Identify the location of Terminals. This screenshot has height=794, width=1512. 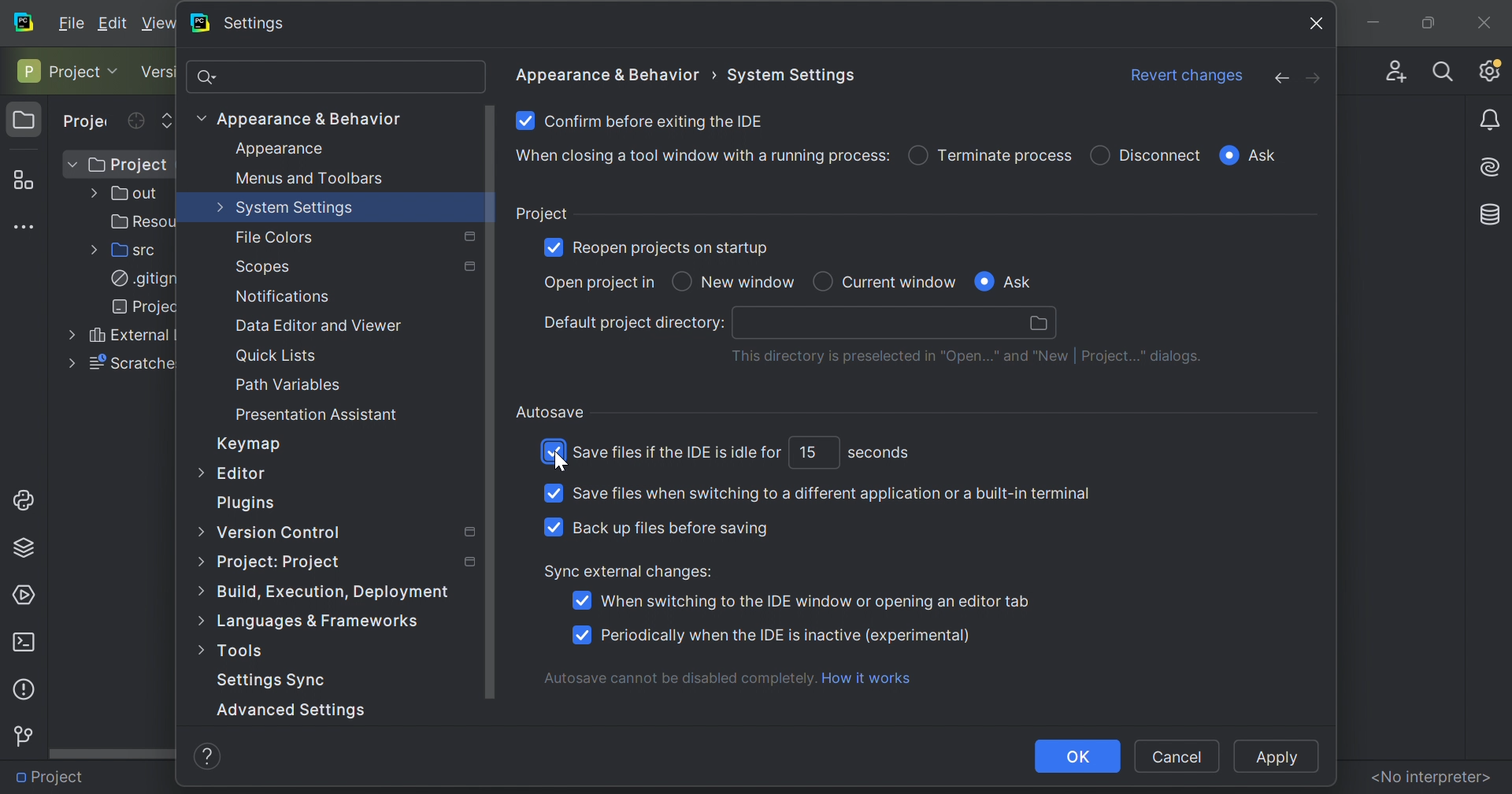
(23, 641).